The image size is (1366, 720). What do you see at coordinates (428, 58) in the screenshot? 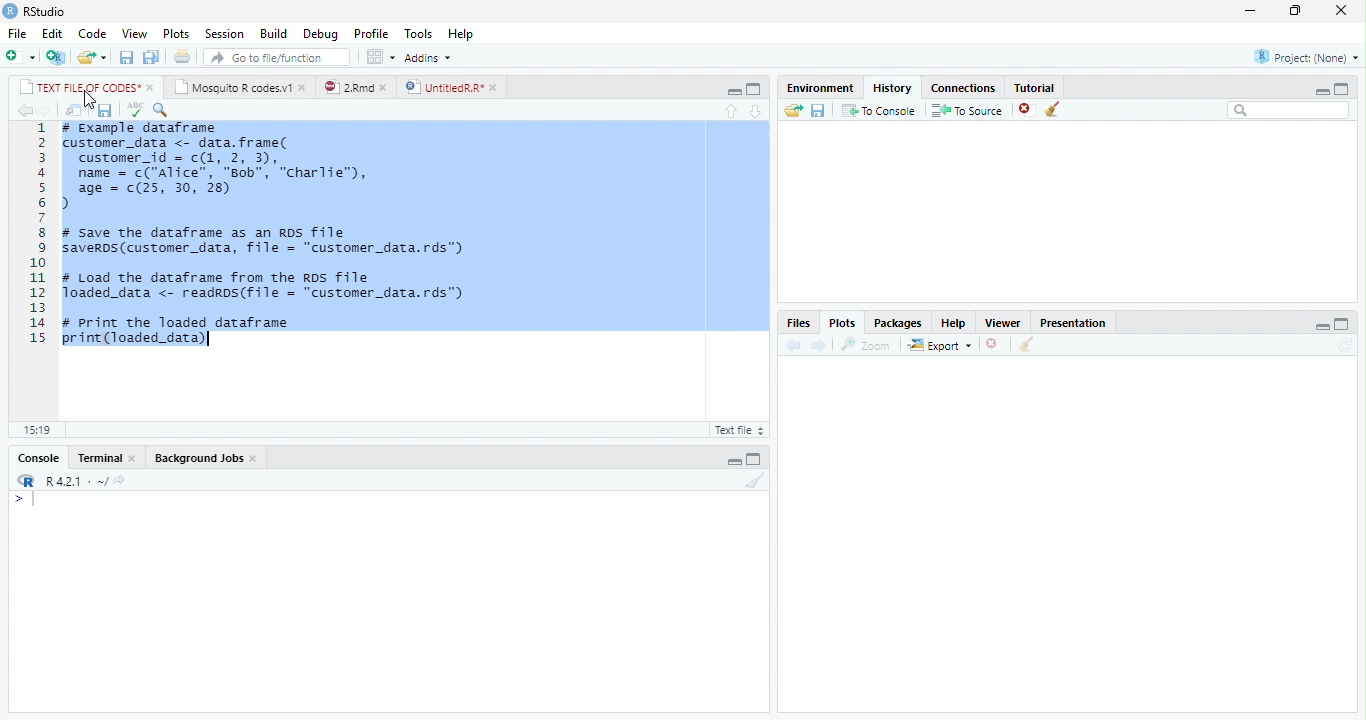
I see `Addins` at bounding box center [428, 58].